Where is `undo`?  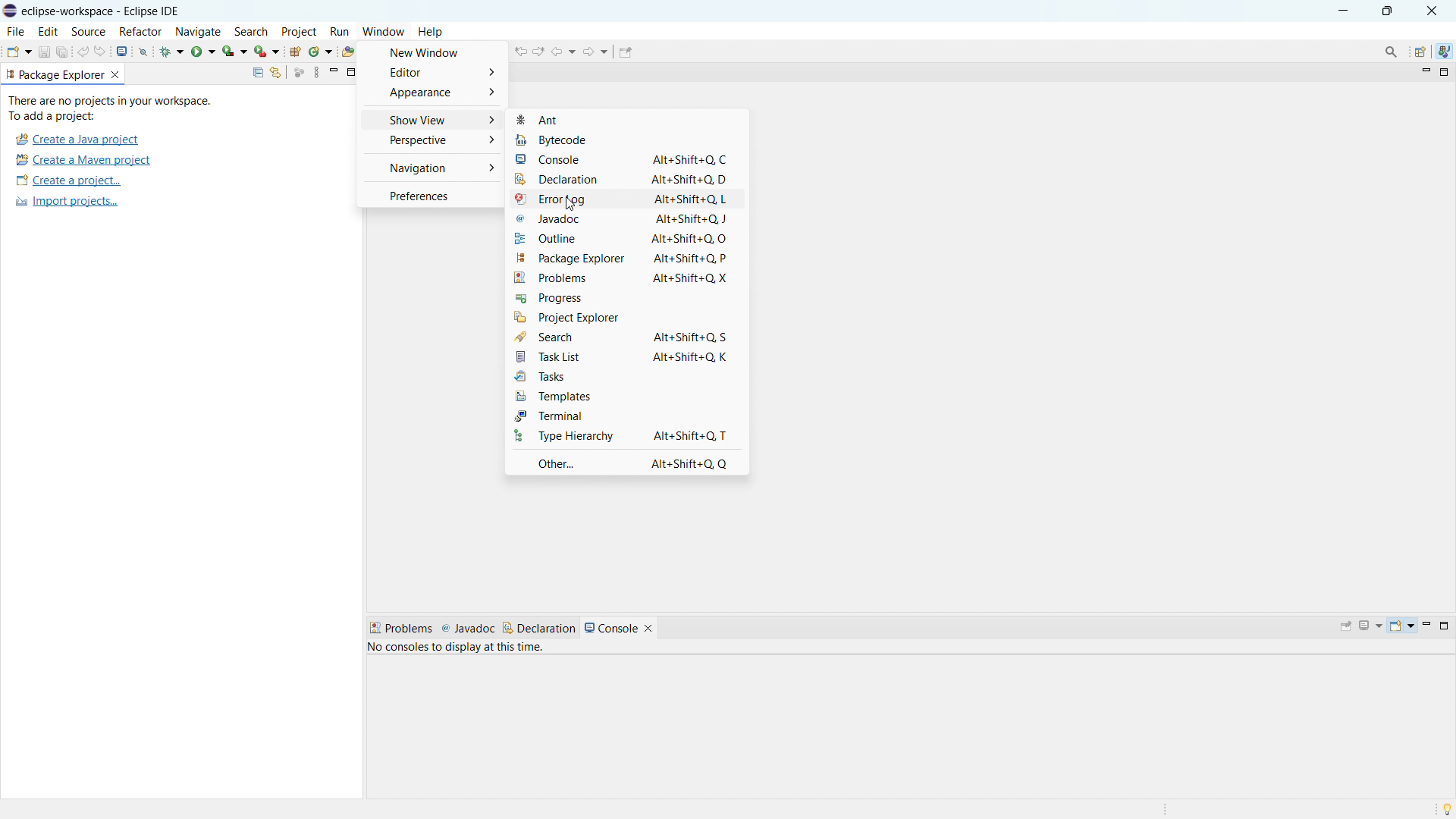
undo is located at coordinates (84, 50).